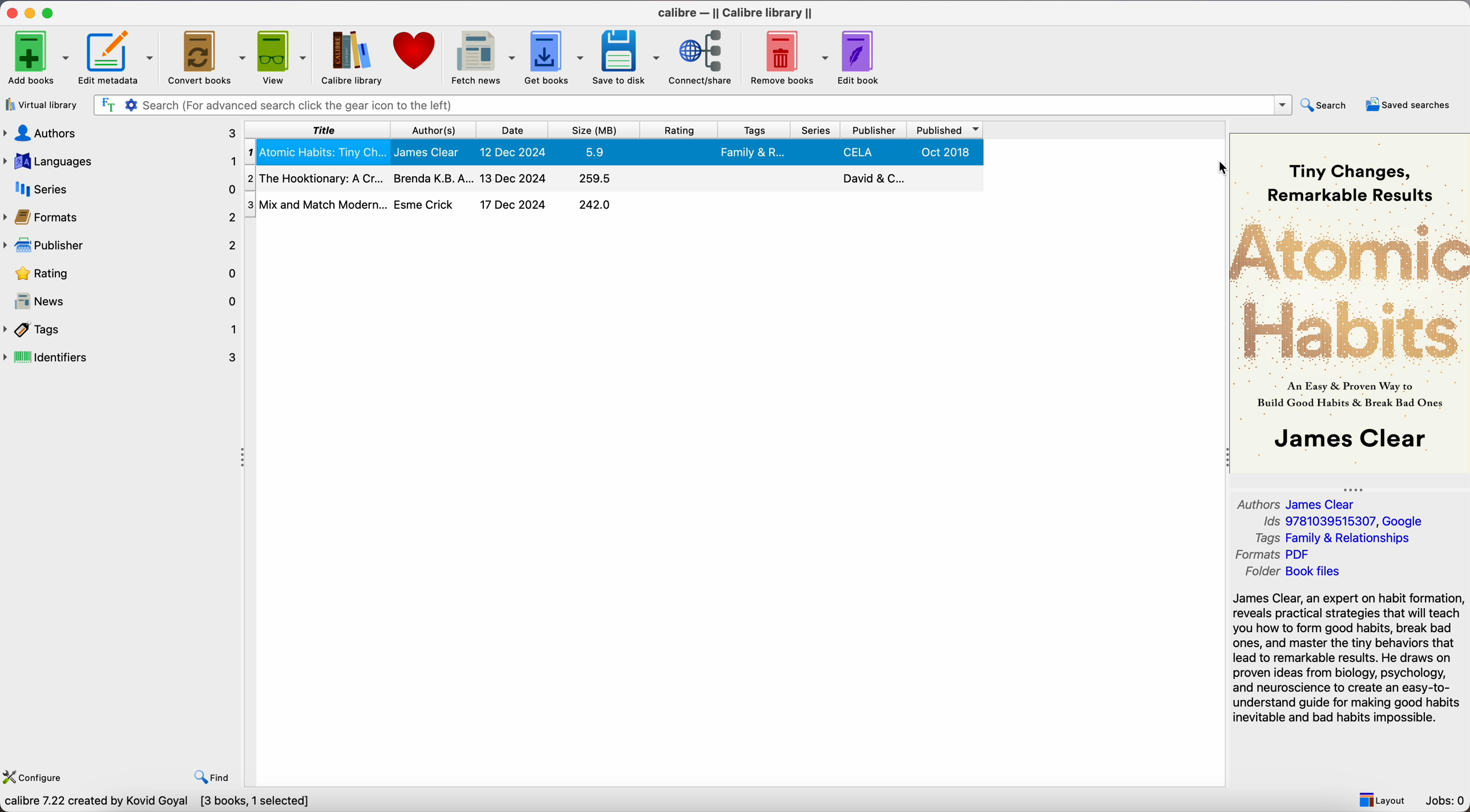 The width and height of the screenshot is (1470, 812). What do you see at coordinates (1443, 801) in the screenshot?
I see `Jobs: 0` at bounding box center [1443, 801].